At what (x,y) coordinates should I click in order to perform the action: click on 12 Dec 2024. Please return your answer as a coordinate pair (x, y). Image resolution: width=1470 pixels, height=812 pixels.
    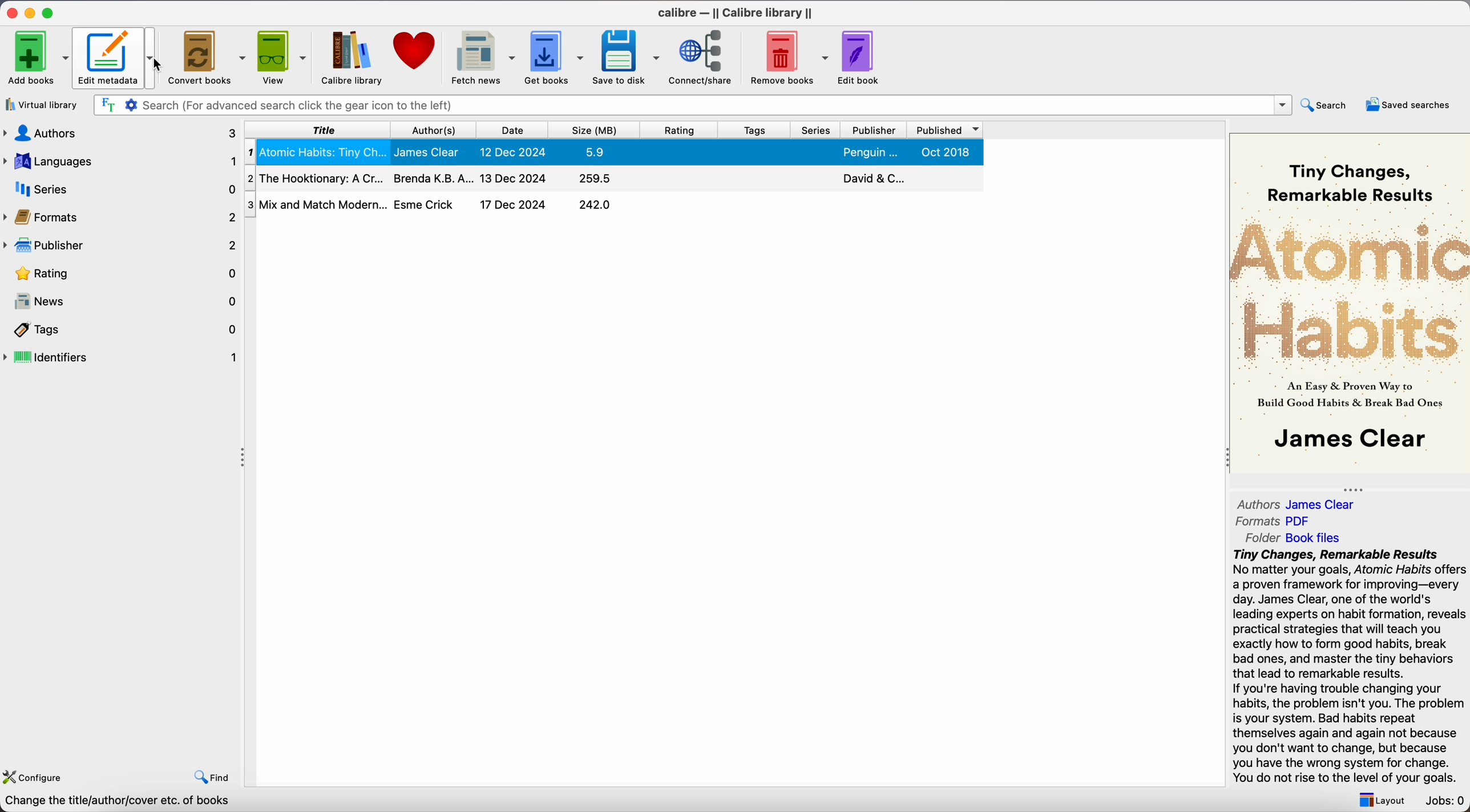
    Looking at the image, I should click on (512, 151).